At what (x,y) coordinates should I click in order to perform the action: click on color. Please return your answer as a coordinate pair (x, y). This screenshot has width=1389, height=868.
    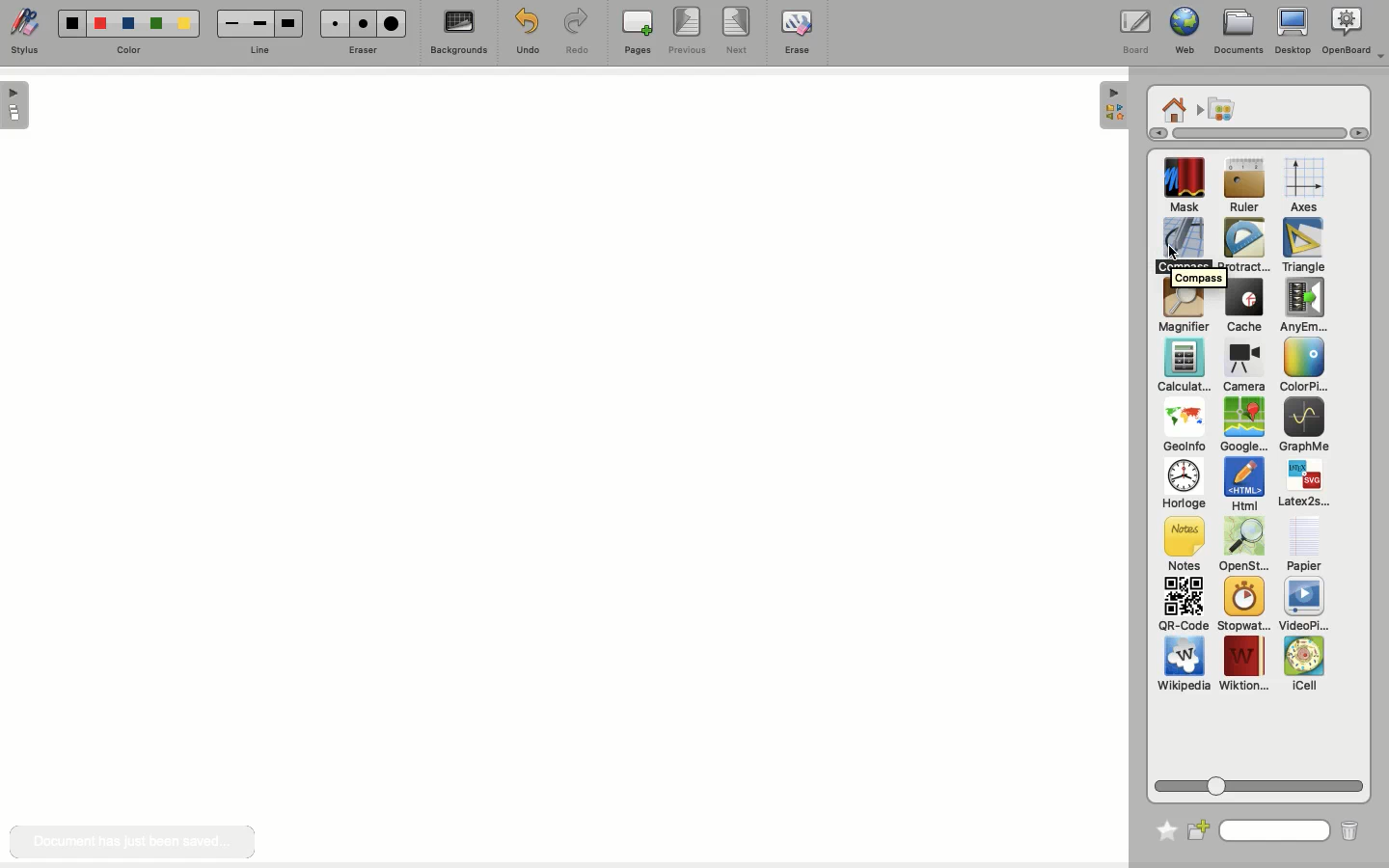
    Looking at the image, I should click on (128, 49).